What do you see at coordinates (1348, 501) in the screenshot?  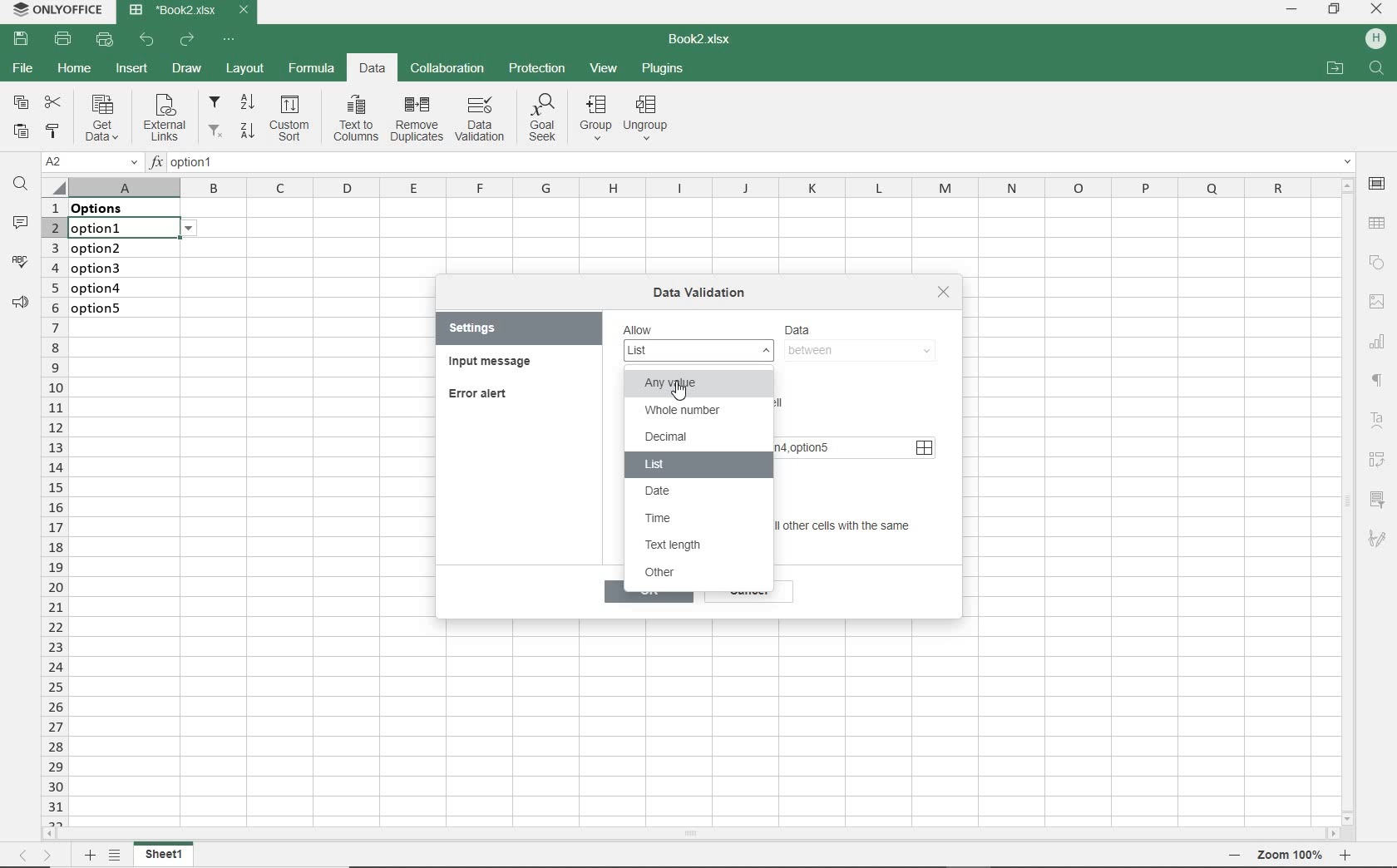 I see `SCROLLBAR` at bounding box center [1348, 501].